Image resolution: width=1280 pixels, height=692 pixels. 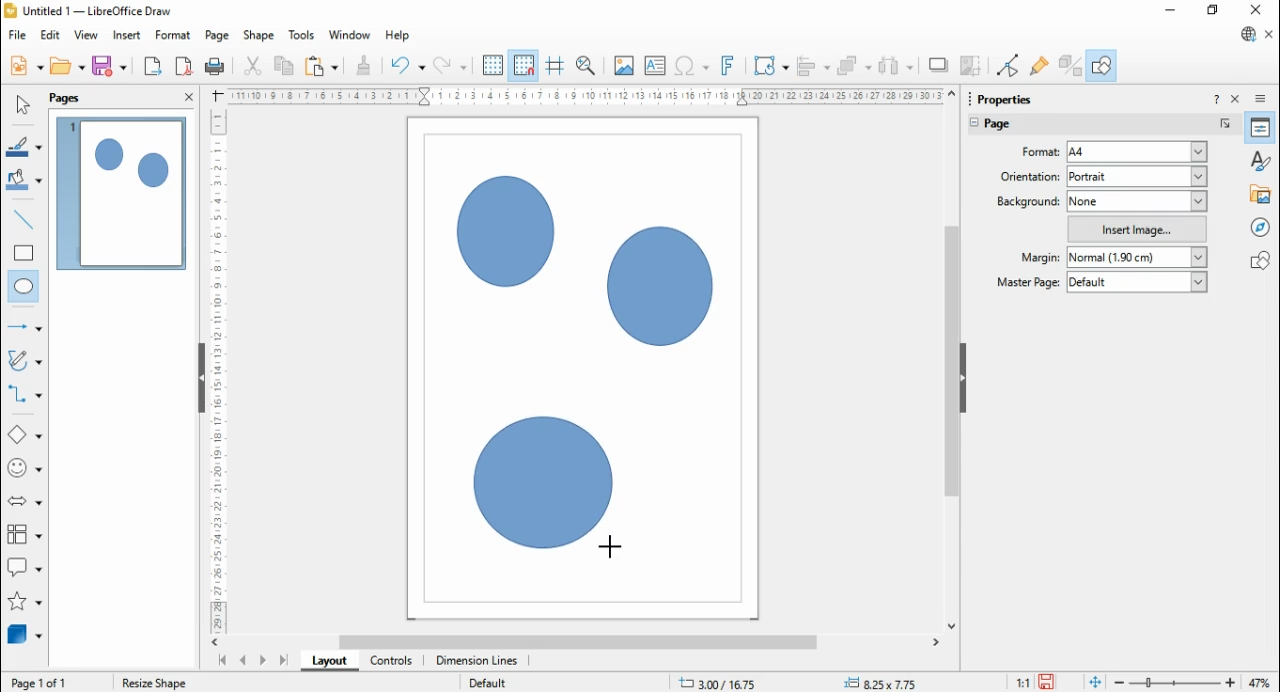 I want to click on Circle shape, so click(x=661, y=290).